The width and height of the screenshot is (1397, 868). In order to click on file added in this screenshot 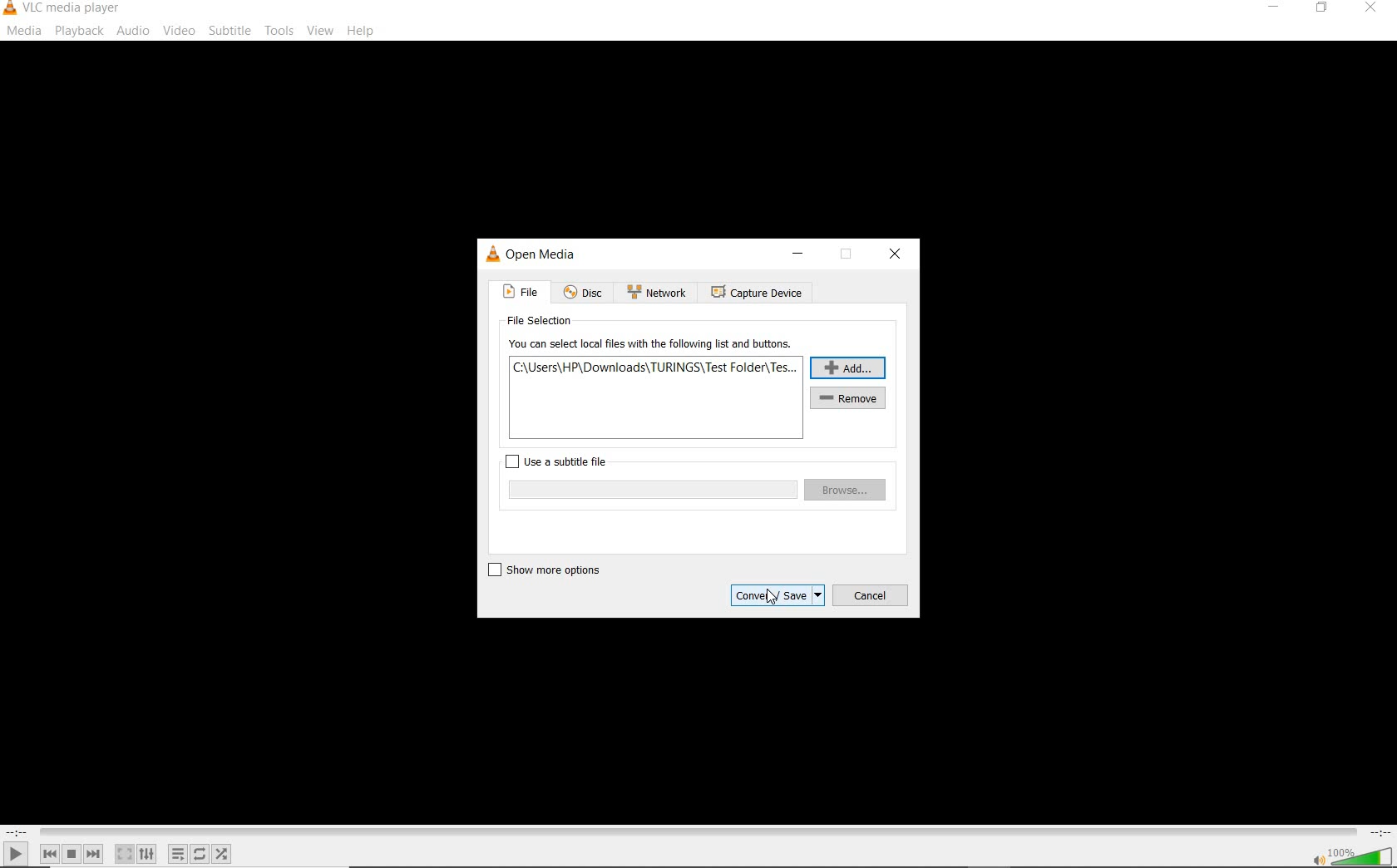, I will do `click(656, 367)`.